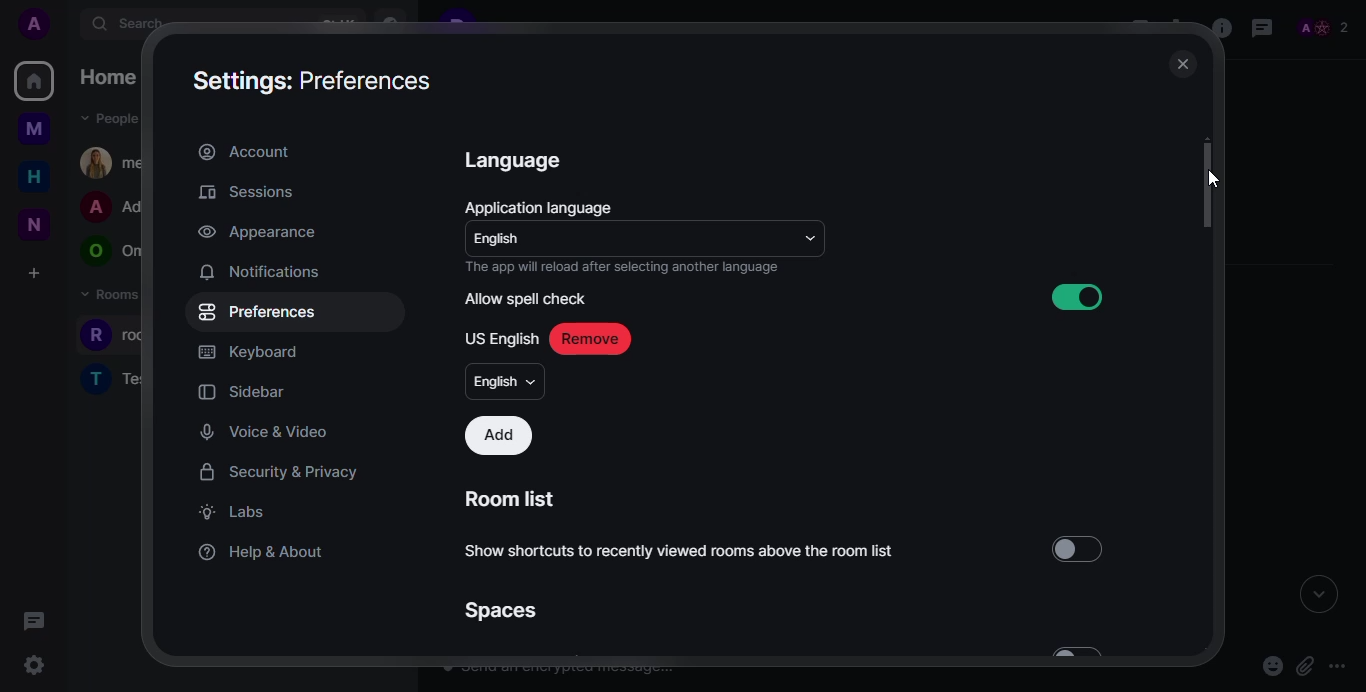  I want to click on sidebar, so click(246, 391).